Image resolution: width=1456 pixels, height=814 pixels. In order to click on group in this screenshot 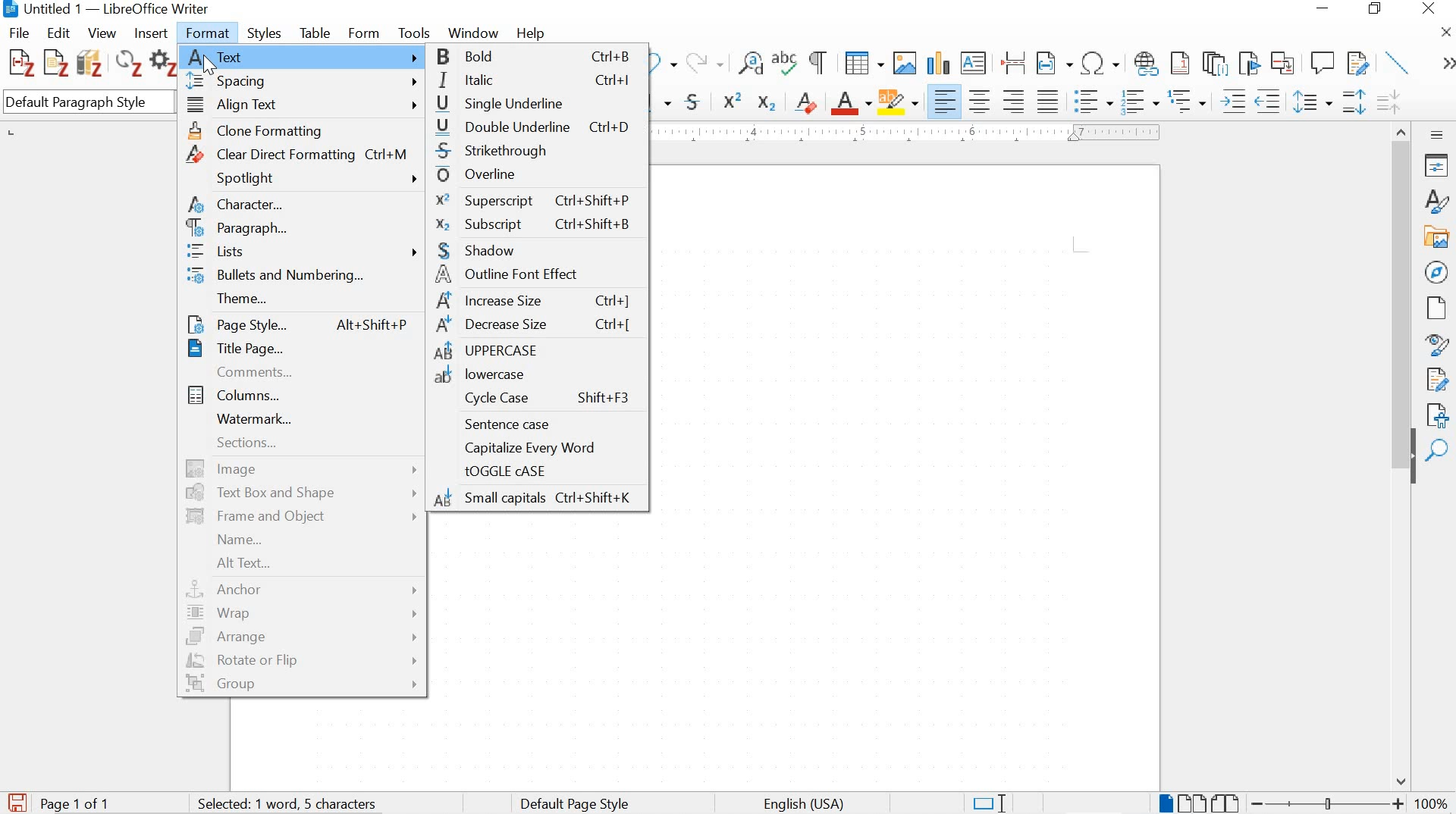, I will do `click(302, 686)`.